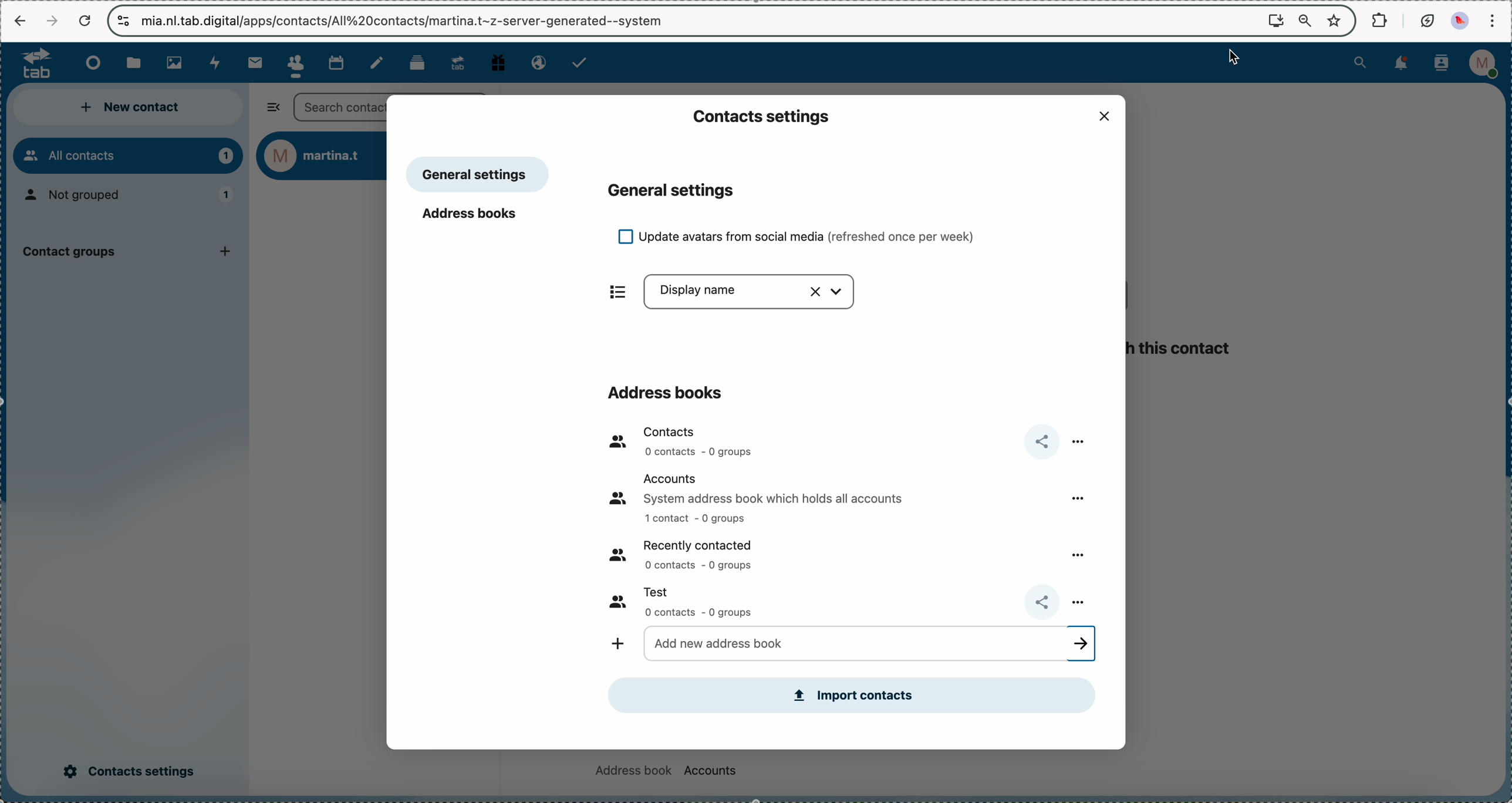 Image resolution: width=1512 pixels, height=803 pixels. Describe the element at coordinates (482, 172) in the screenshot. I see `general settings` at that location.